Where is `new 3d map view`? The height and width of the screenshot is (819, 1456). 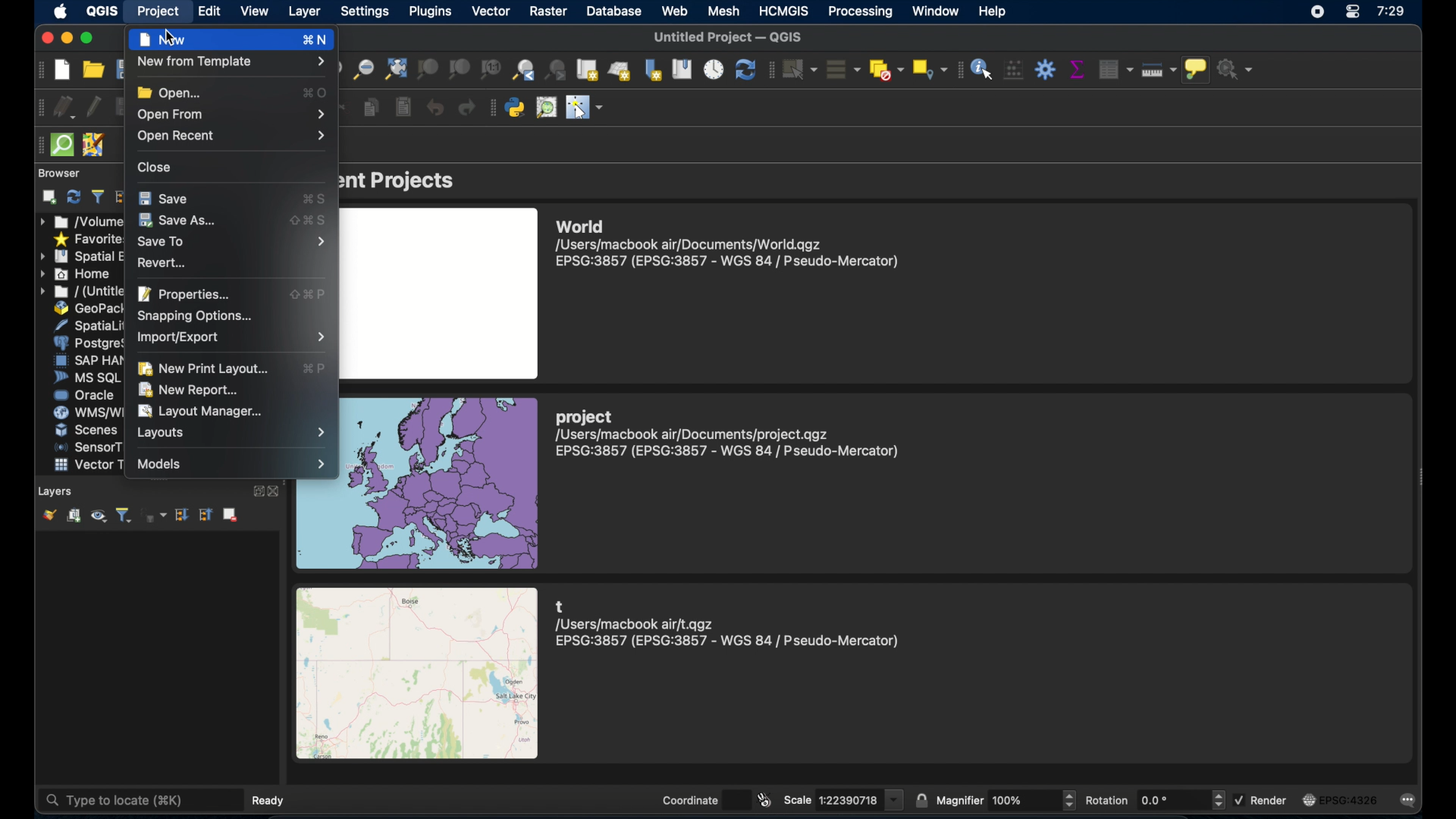
new 3d map view is located at coordinates (620, 72).